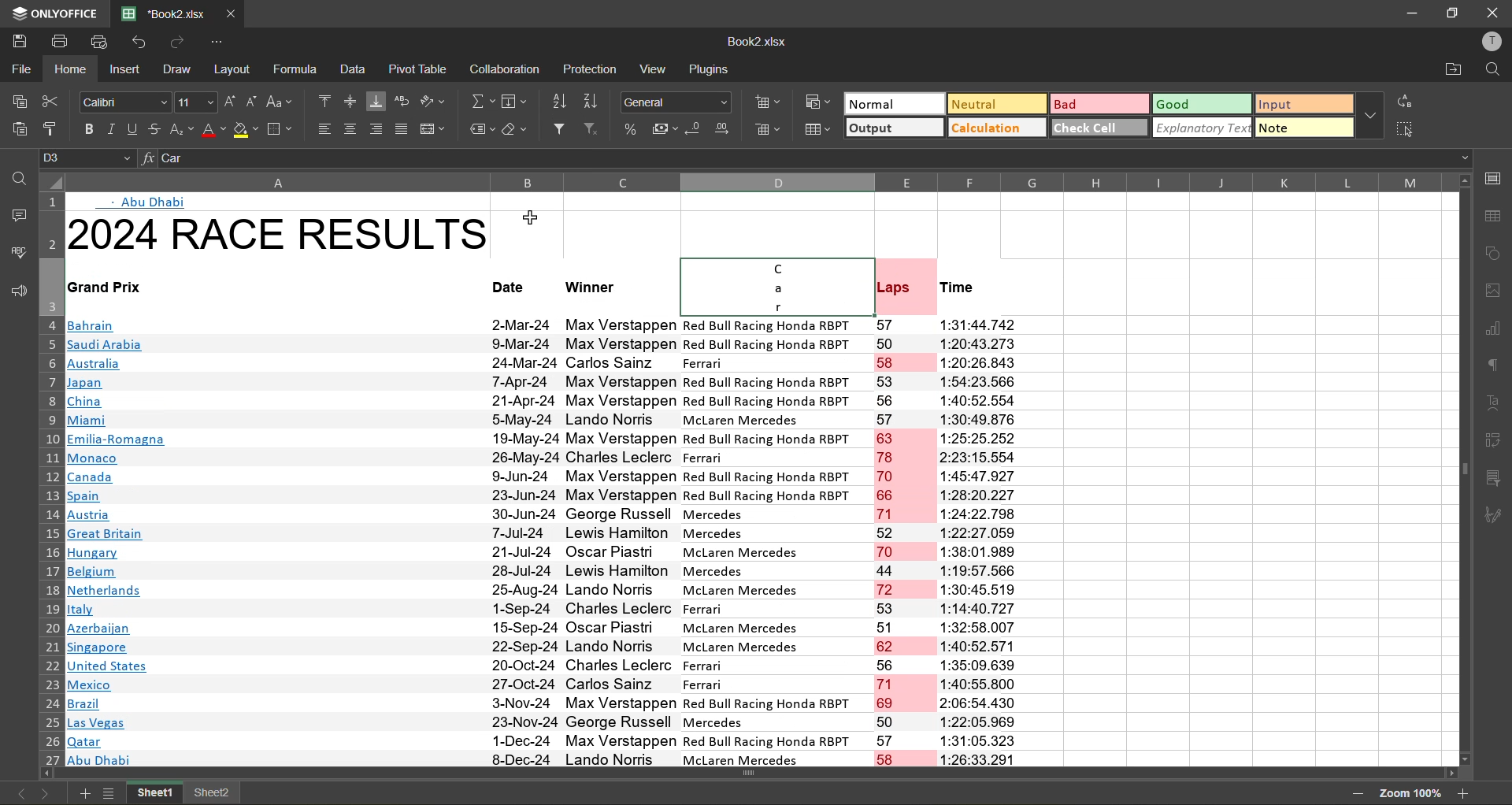 The height and width of the screenshot is (805, 1512). What do you see at coordinates (44, 792) in the screenshot?
I see `next` at bounding box center [44, 792].